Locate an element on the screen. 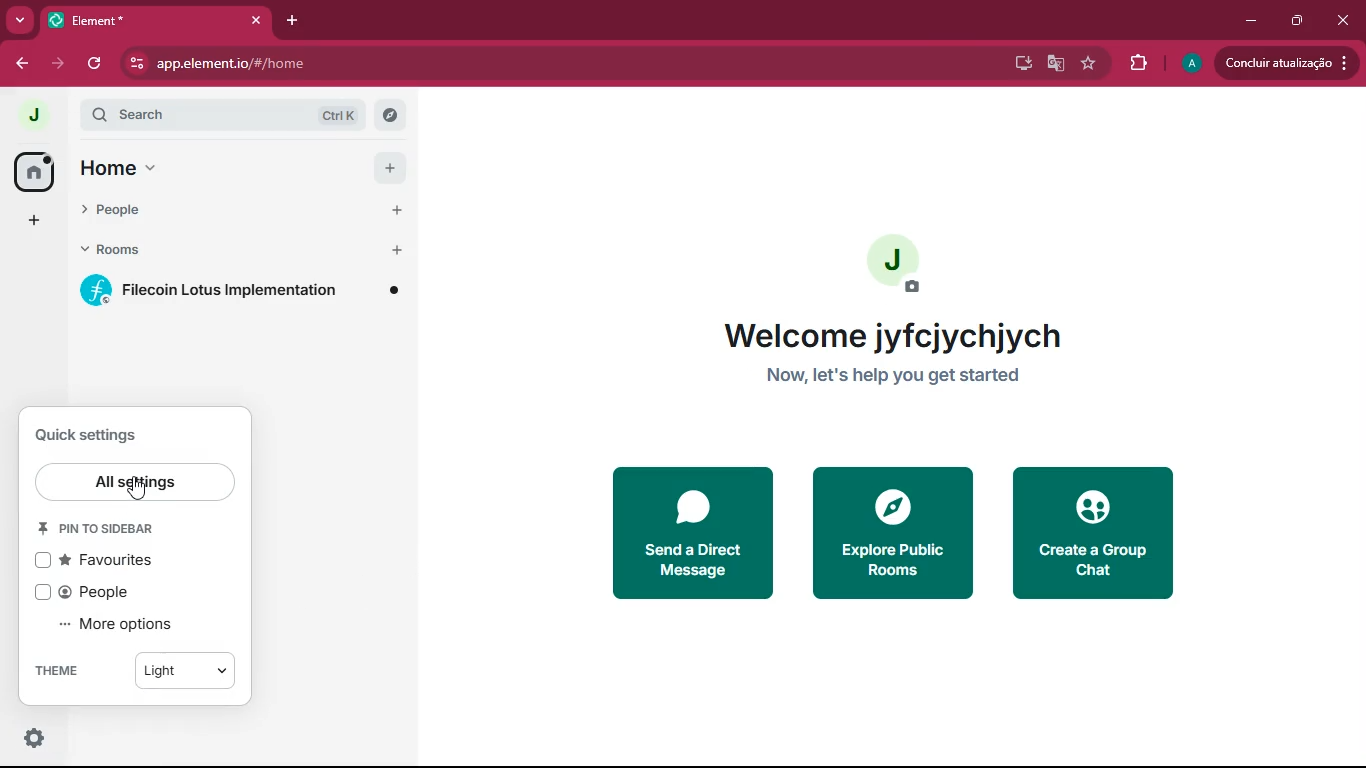  add tab is located at coordinates (293, 20).